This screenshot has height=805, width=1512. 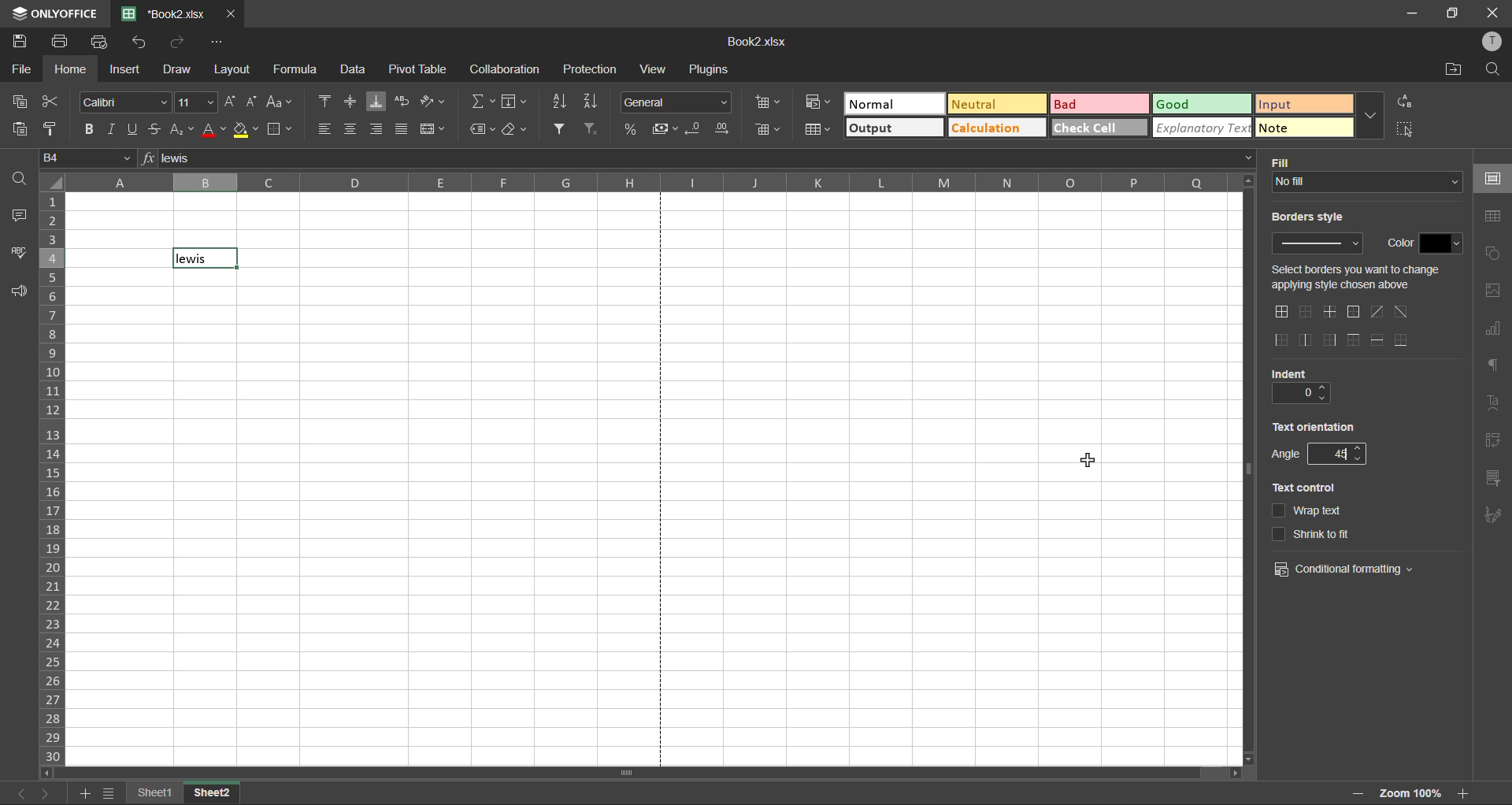 I want to click on select all, so click(x=1404, y=130).